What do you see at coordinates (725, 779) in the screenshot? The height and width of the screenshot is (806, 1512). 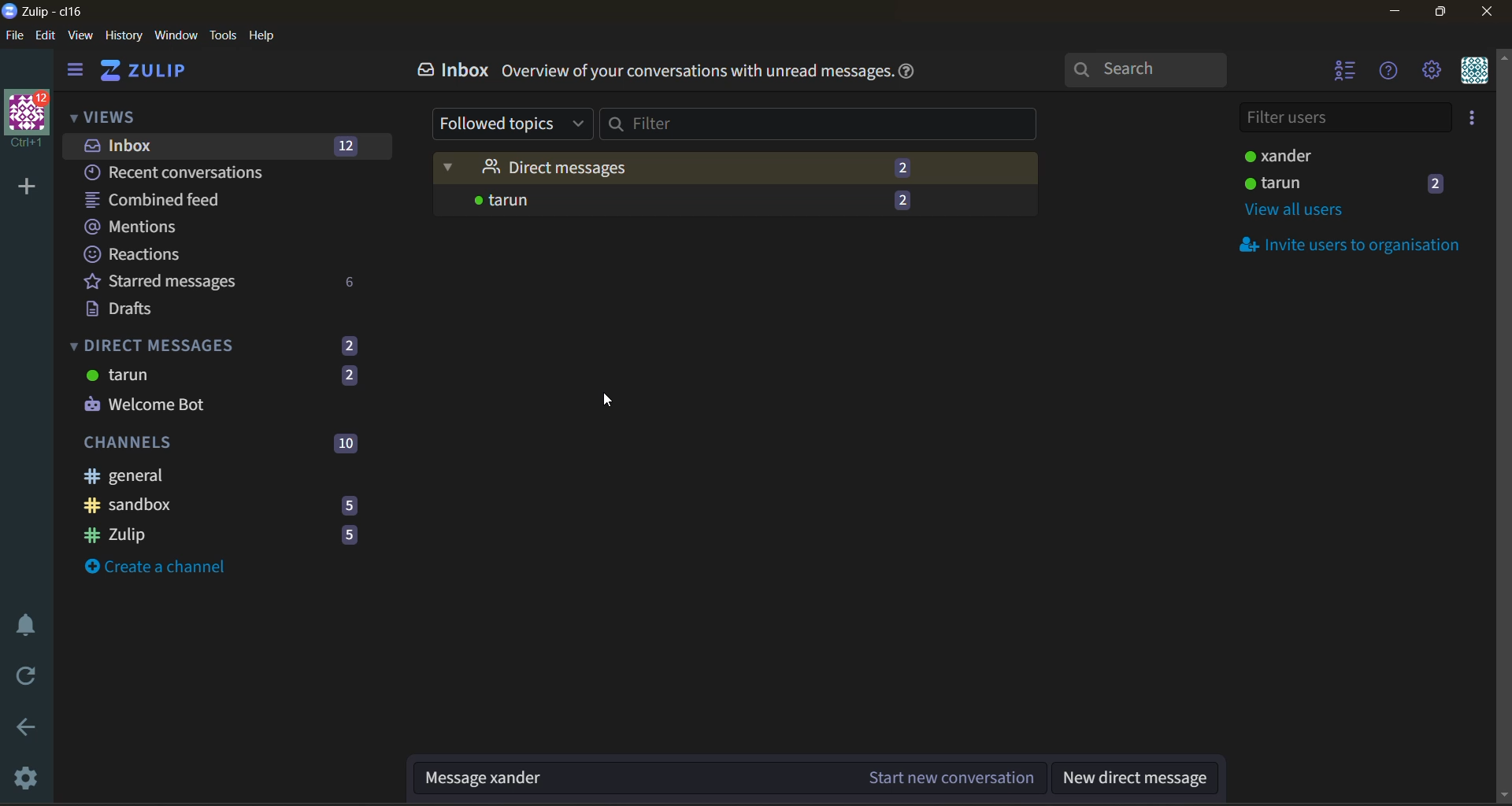 I see `Message xander (Start new conversation)` at bounding box center [725, 779].